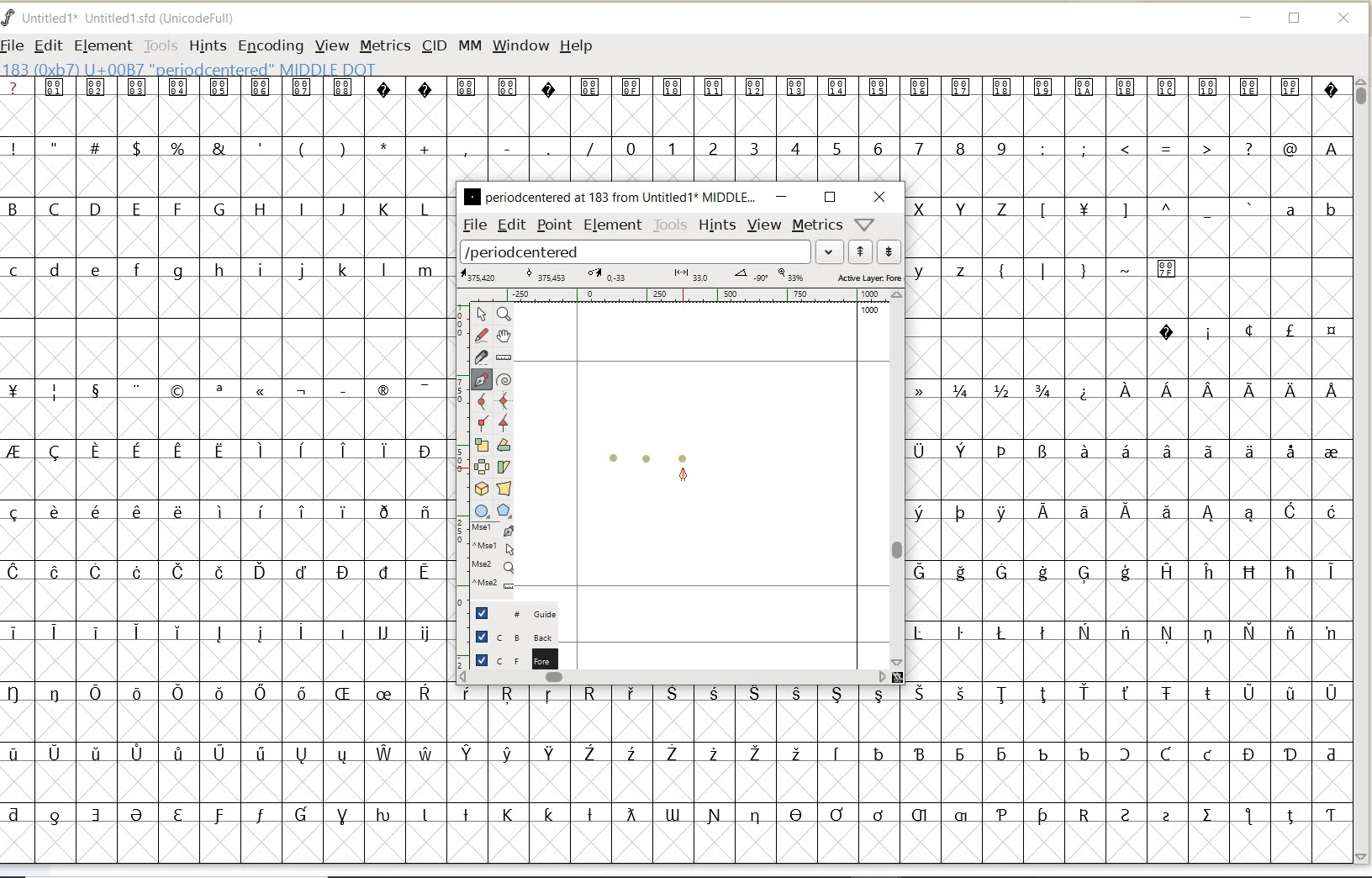  What do you see at coordinates (509, 637) in the screenshot?
I see `background` at bounding box center [509, 637].